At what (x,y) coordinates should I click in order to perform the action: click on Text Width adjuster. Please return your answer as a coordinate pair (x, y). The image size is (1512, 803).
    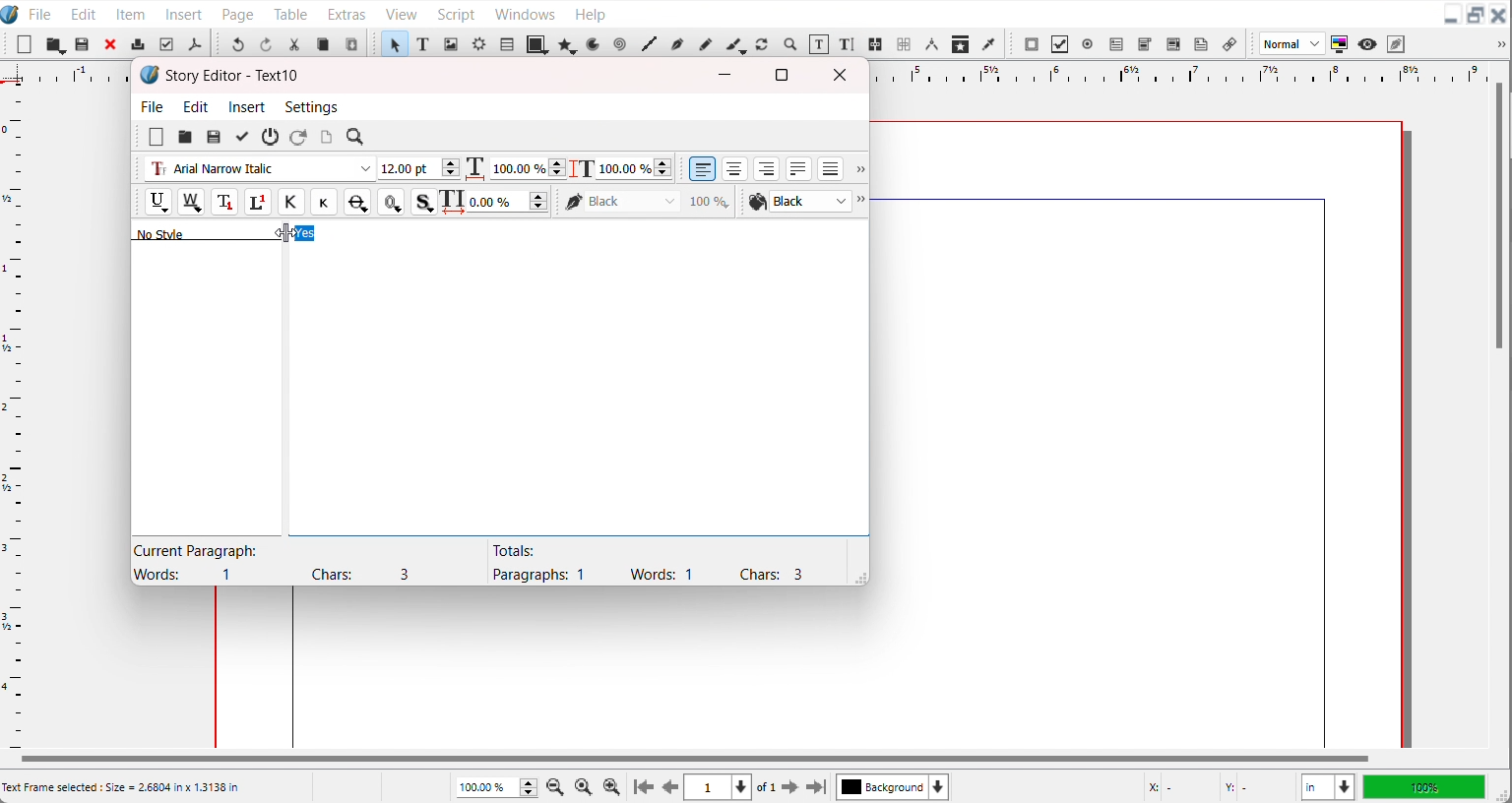
    Looking at the image, I should click on (509, 202).